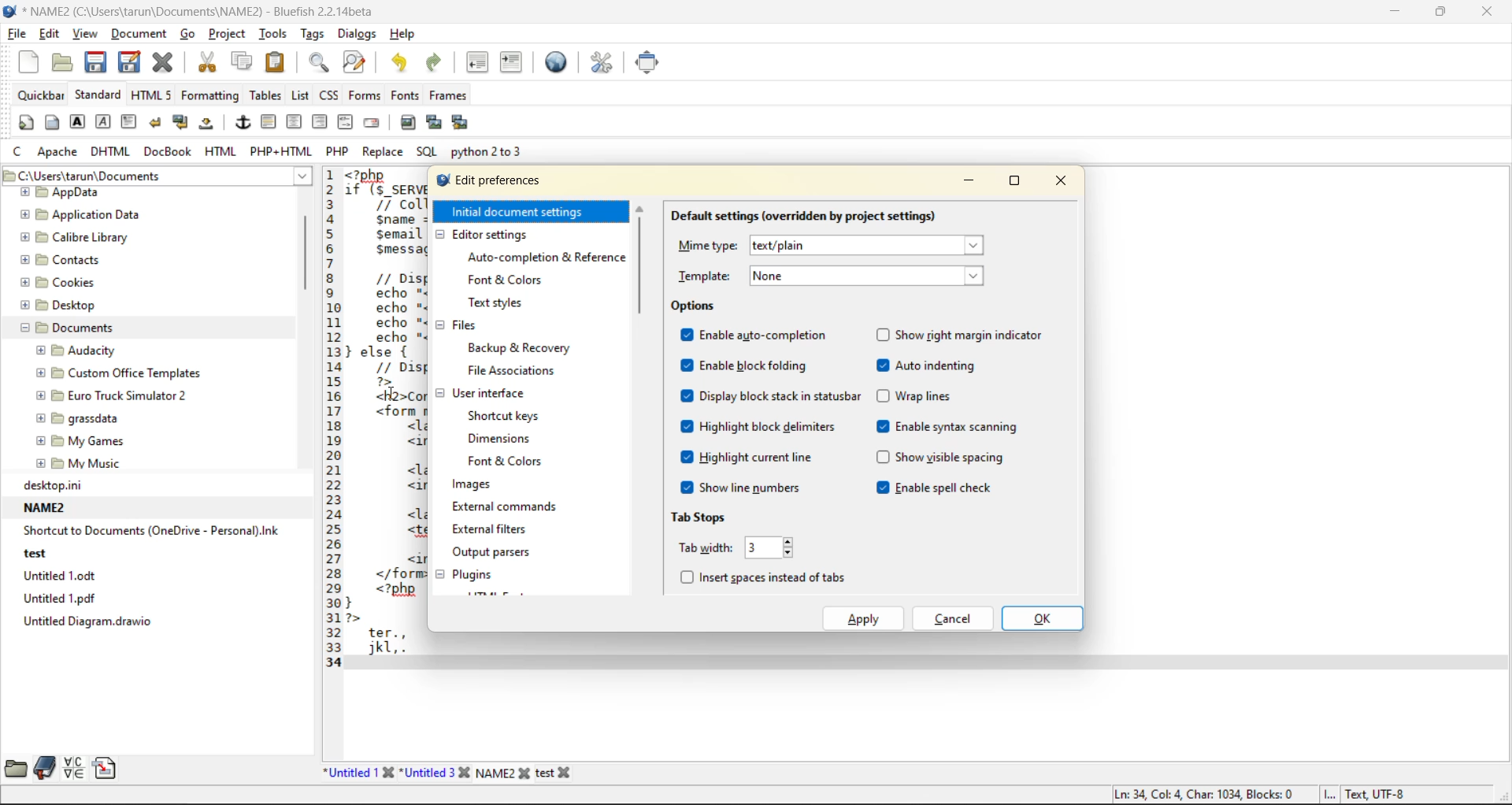 Image resolution: width=1512 pixels, height=805 pixels. What do you see at coordinates (61, 304) in the screenshot?
I see `Desktop` at bounding box center [61, 304].